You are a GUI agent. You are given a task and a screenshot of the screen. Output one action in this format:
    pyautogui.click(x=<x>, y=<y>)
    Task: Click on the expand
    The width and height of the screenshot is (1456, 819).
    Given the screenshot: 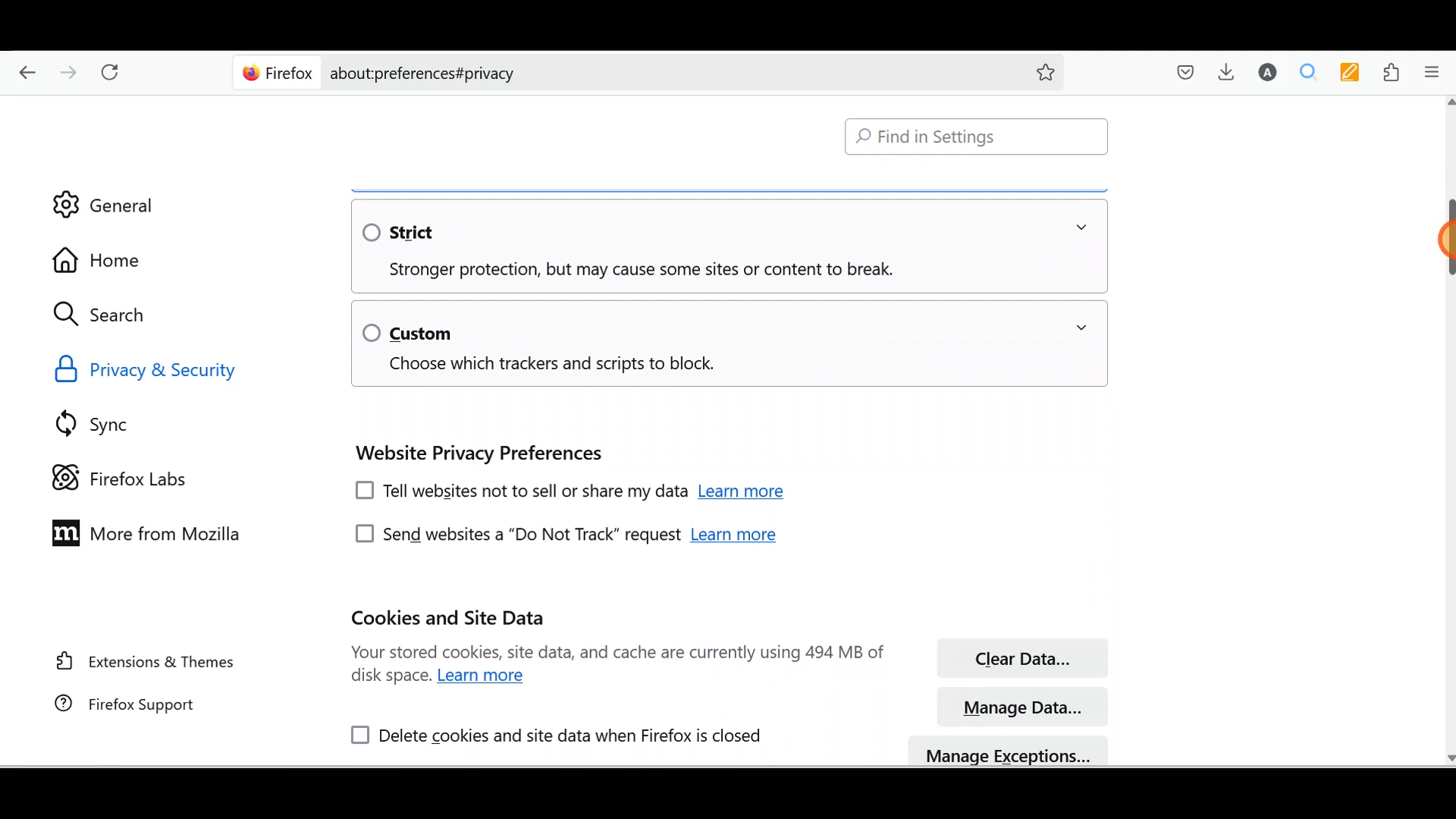 What is the action you would take?
    pyautogui.click(x=1081, y=227)
    